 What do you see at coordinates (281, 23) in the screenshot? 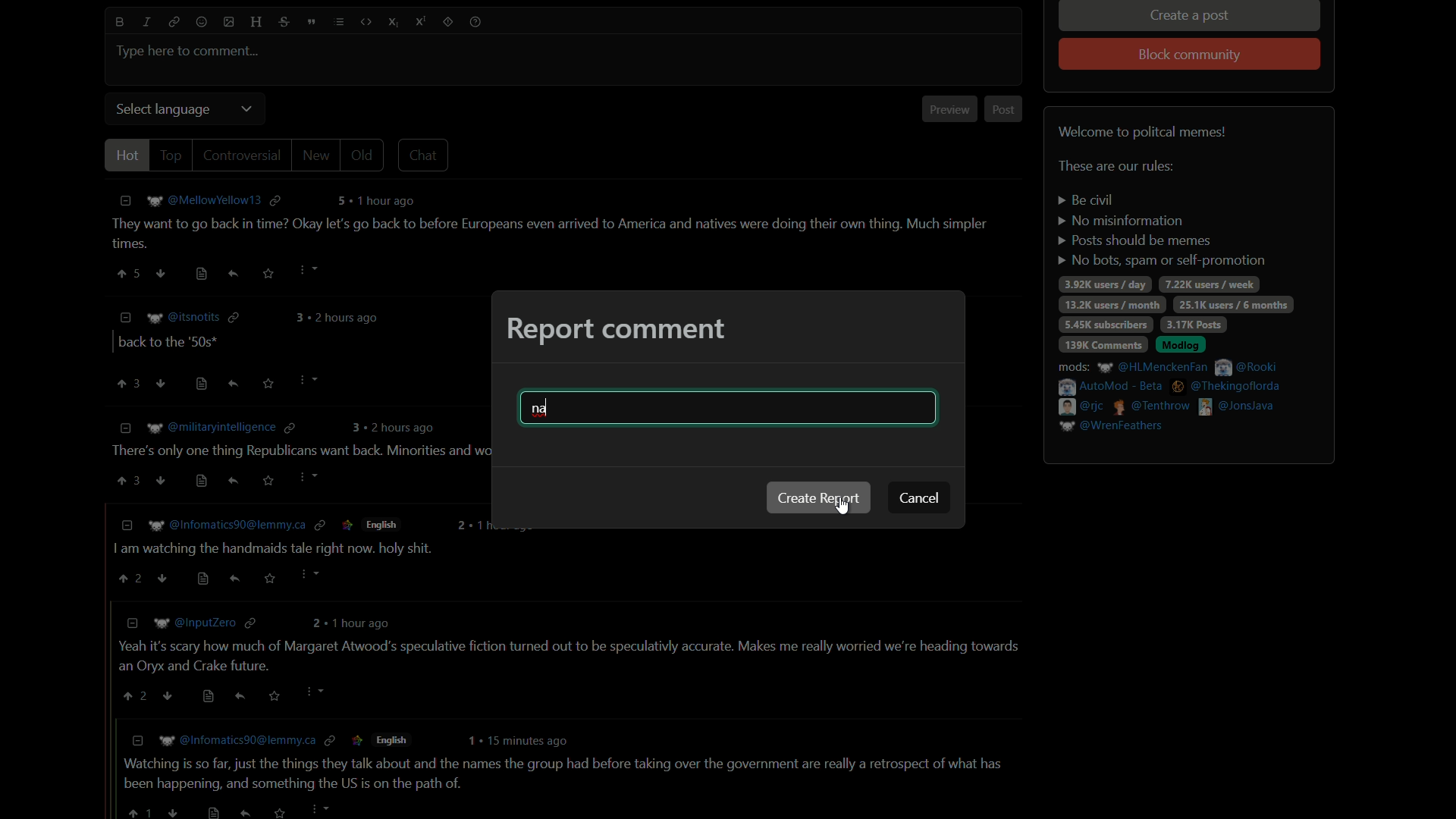
I see `strikethrough` at bounding box center [281, 23].